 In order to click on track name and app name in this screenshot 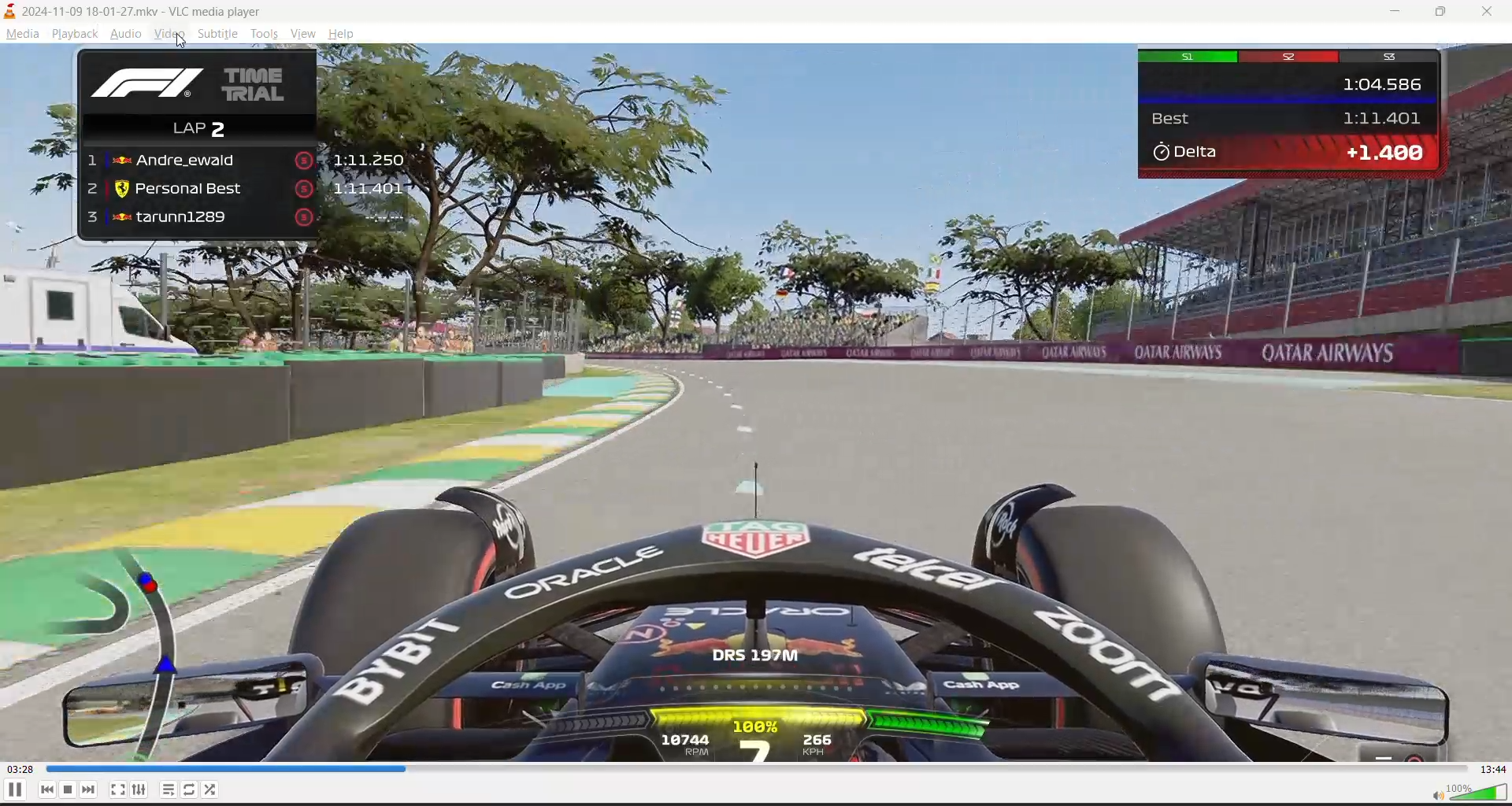, I will do `click(147, 9)`.